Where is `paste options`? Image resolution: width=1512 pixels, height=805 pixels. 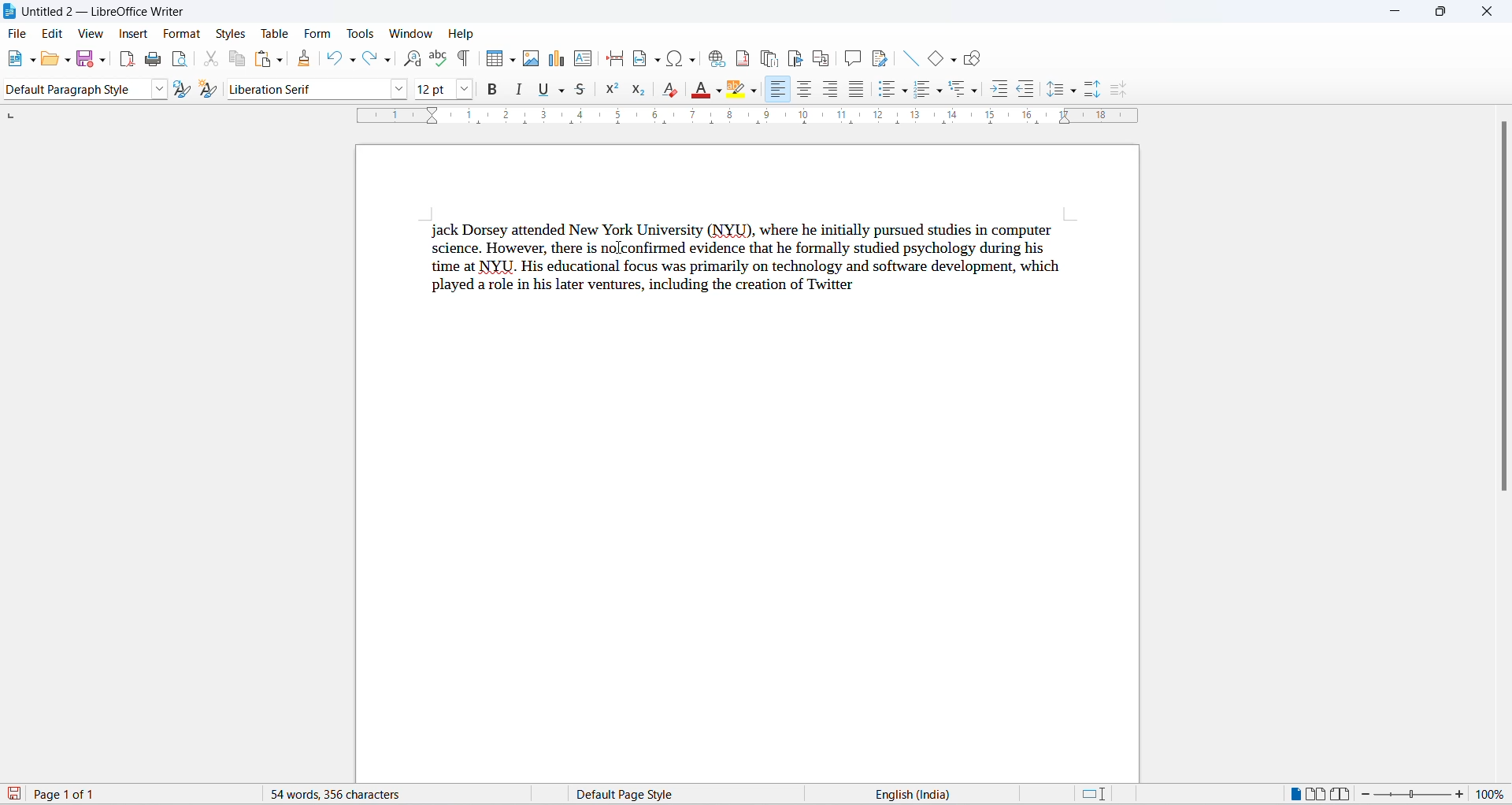 paste options is located at coordinates (279, 61).